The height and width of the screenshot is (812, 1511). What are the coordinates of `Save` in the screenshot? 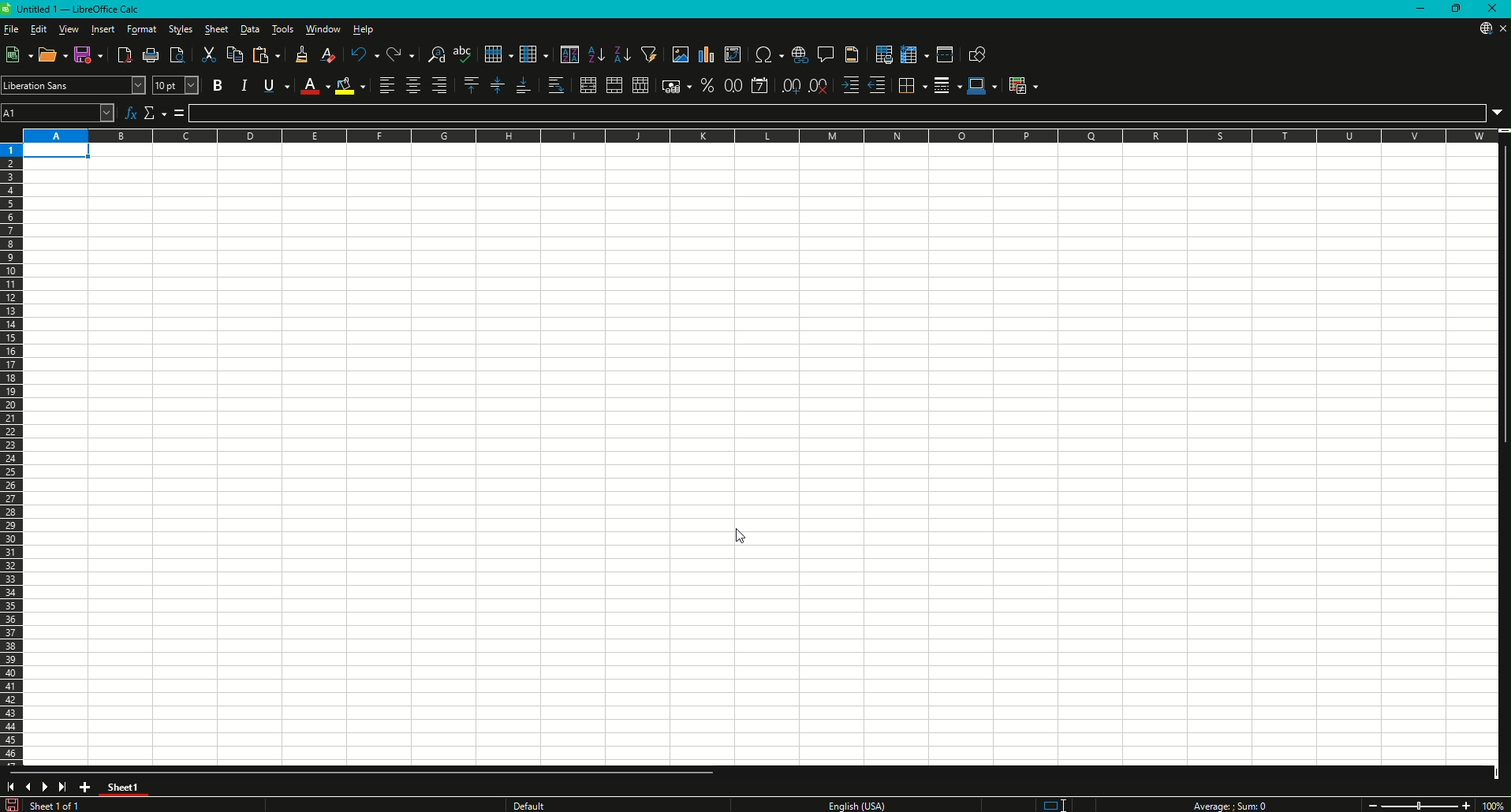 It's located at (90, 54).